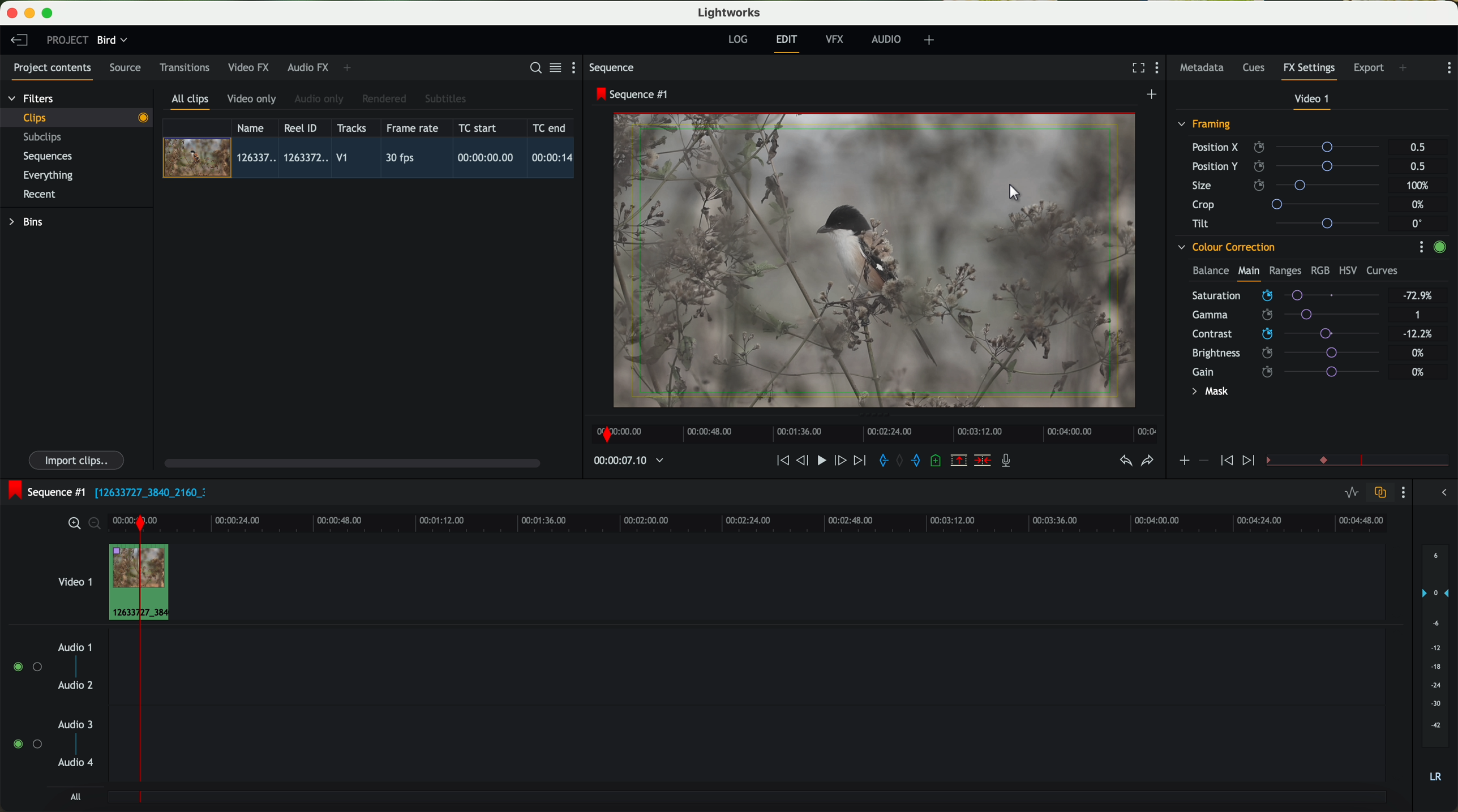 This screenshot has width=1458, height=812. What do you see at coordinates (782, 461) in the screenshot?
I see `rewind` at bounding box center [782, 461].